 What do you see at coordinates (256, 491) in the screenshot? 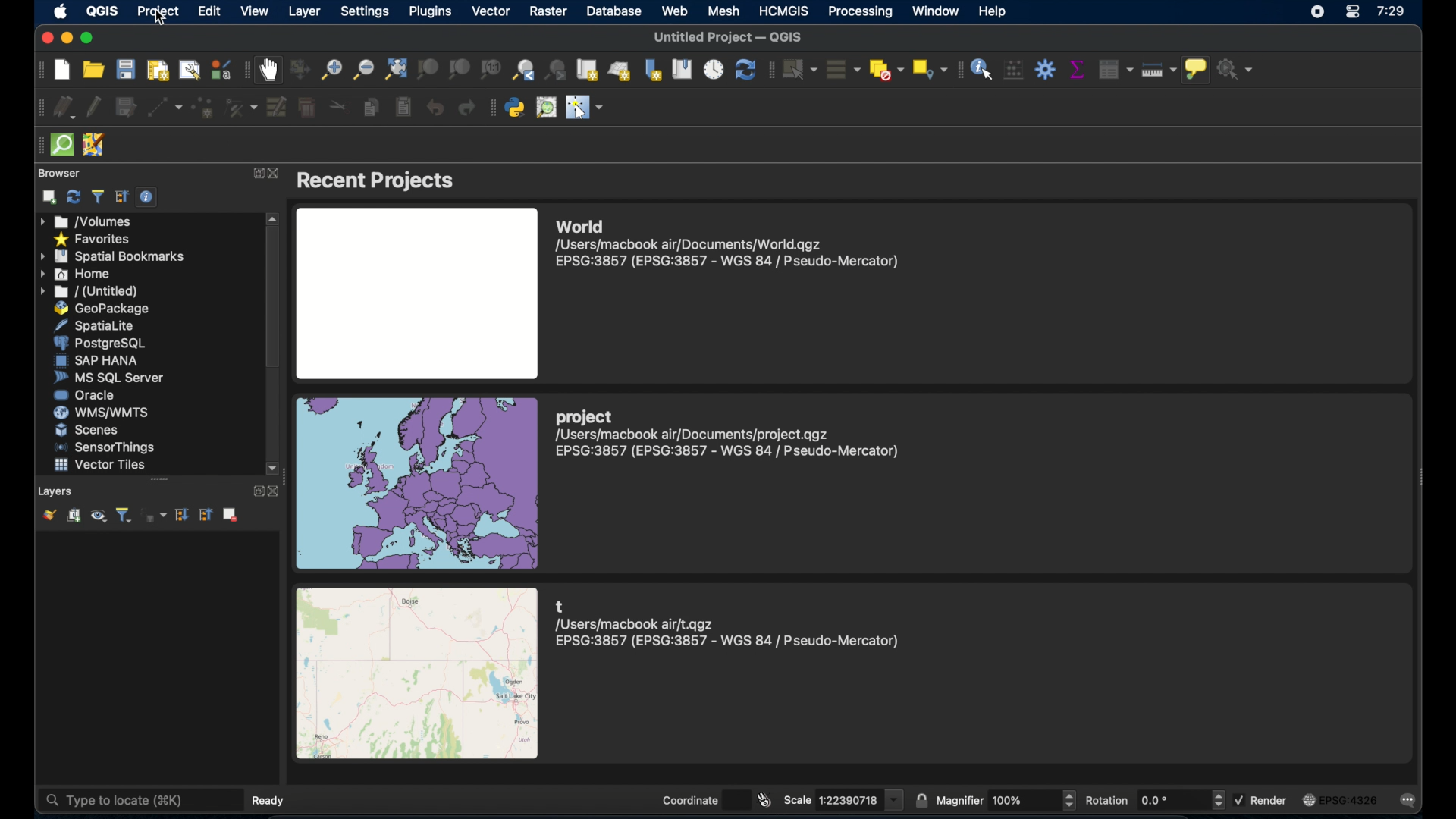
I see `expand` at bounding box center [256, 491].